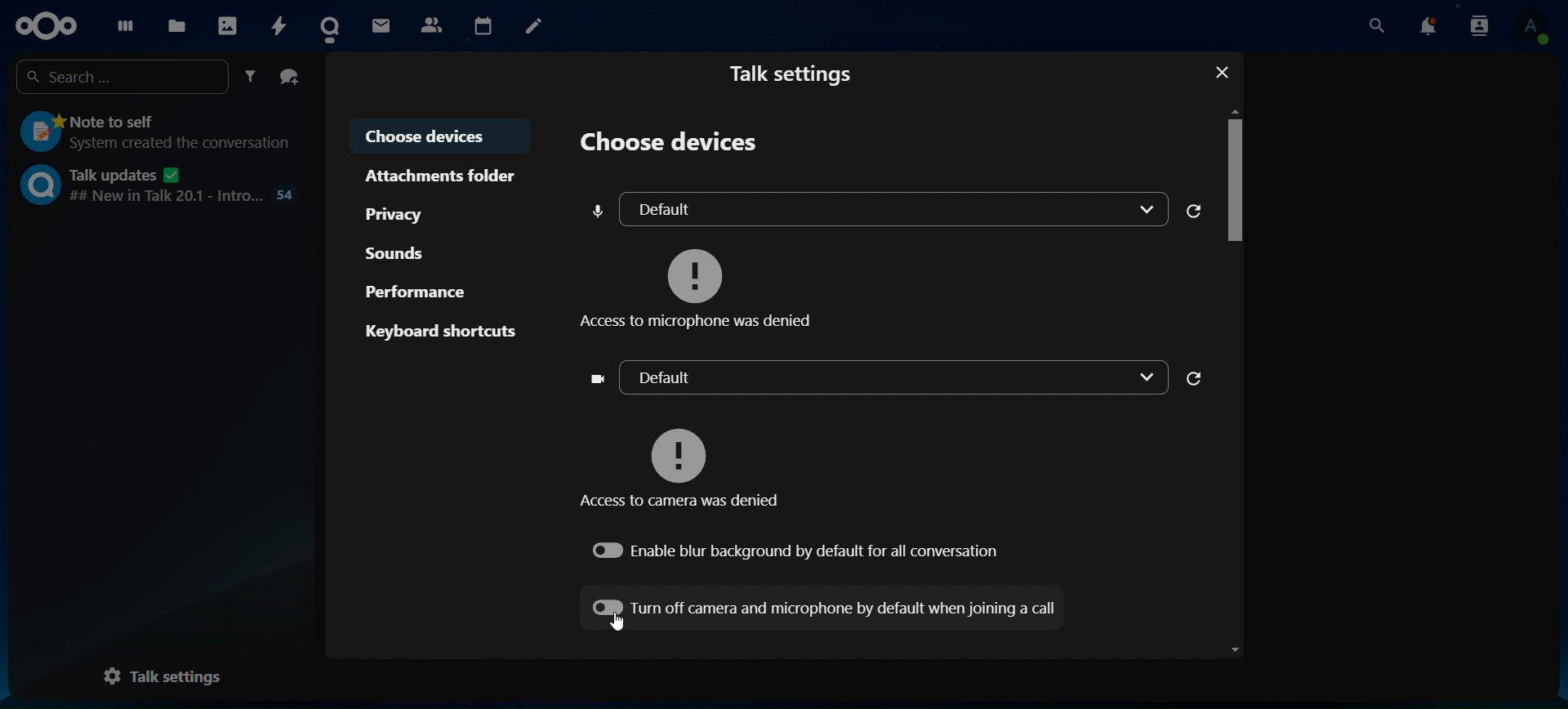 The width and height of the screenshot is (1568, 709). What do you see at coordinates (381, 24) in the screenshot?
I see `mail` at bounding box center [381, 24].